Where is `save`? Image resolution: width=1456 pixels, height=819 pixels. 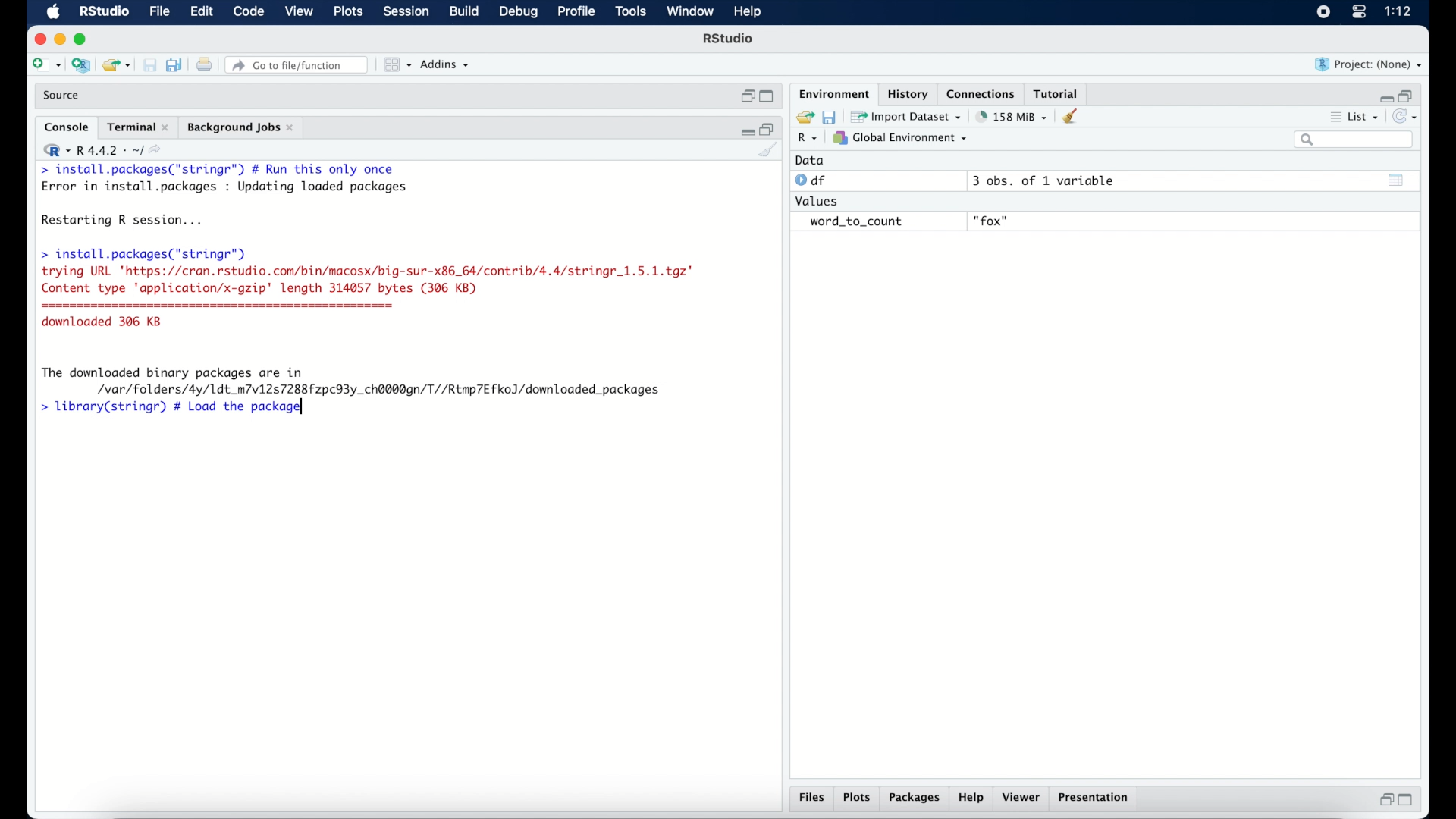 save is located at coordinates (831, 116).